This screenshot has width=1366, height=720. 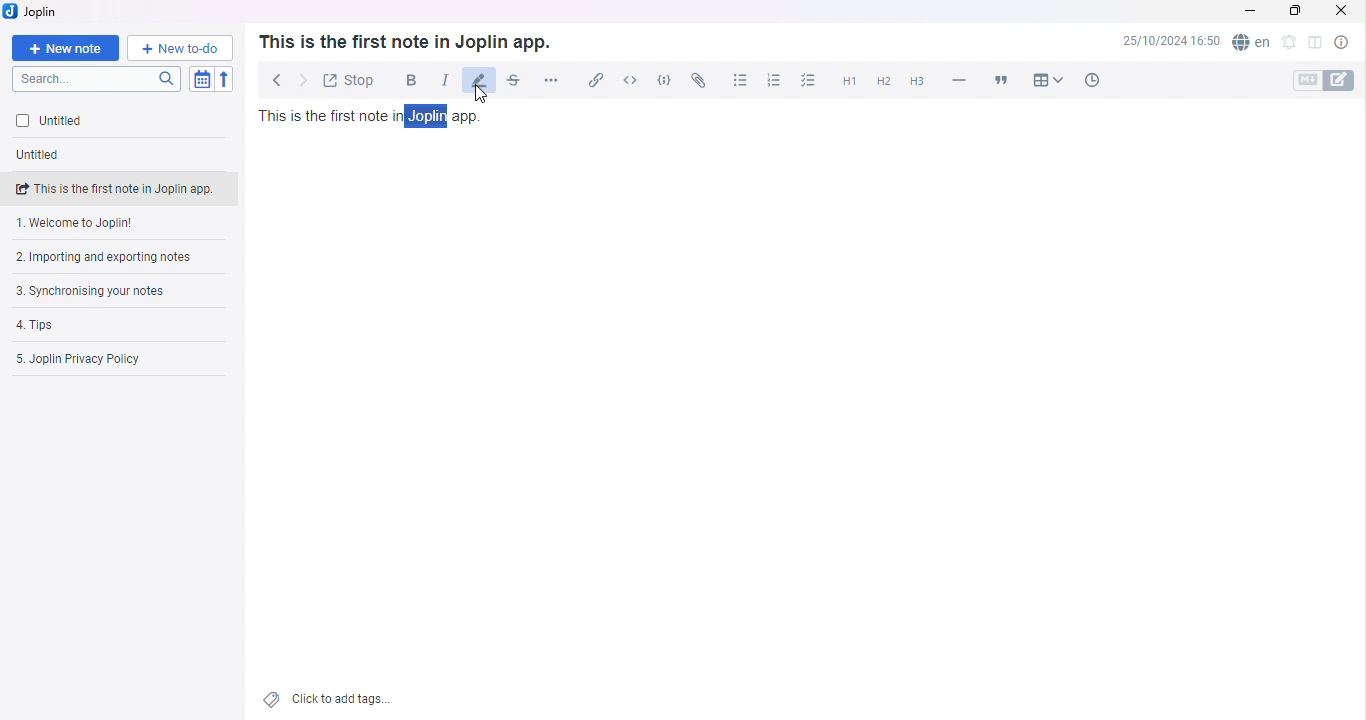 I want to click on New to-do, so click(x=178, y=48).